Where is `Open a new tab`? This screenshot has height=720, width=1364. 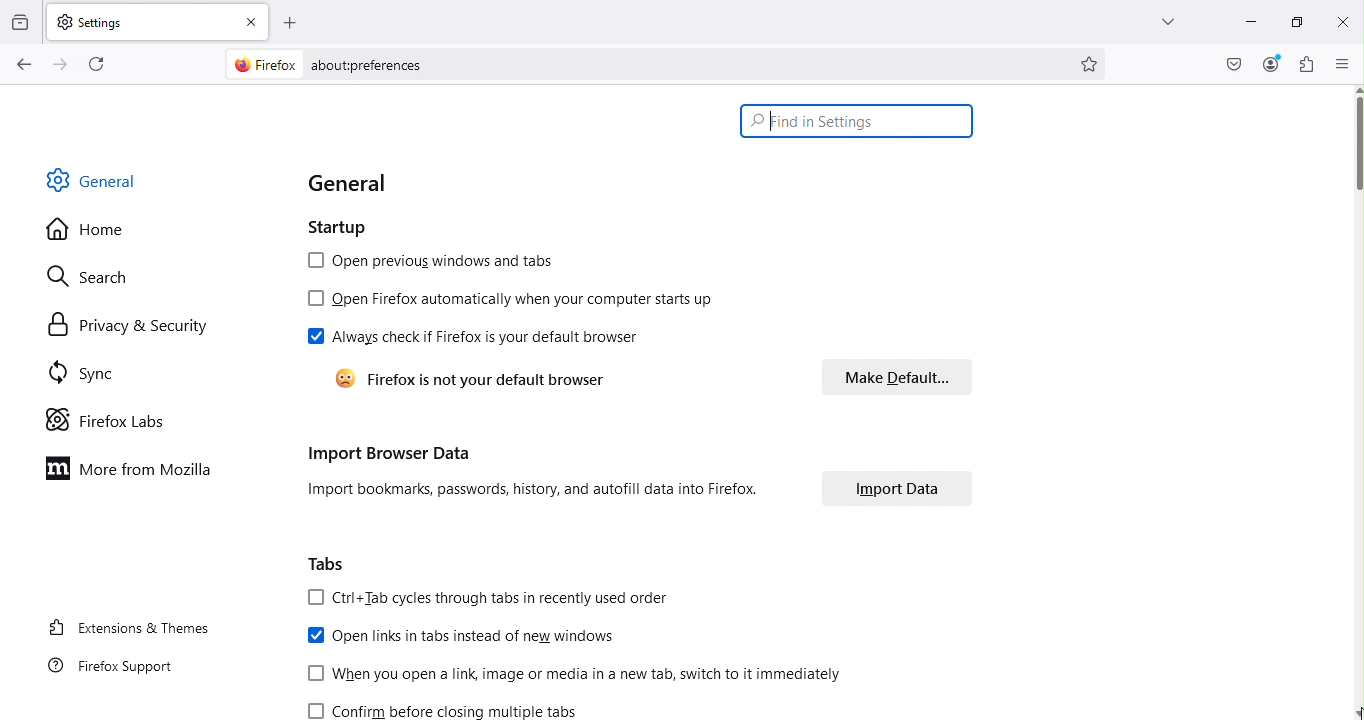 Open a new tab is located at coordinates (291, 22).